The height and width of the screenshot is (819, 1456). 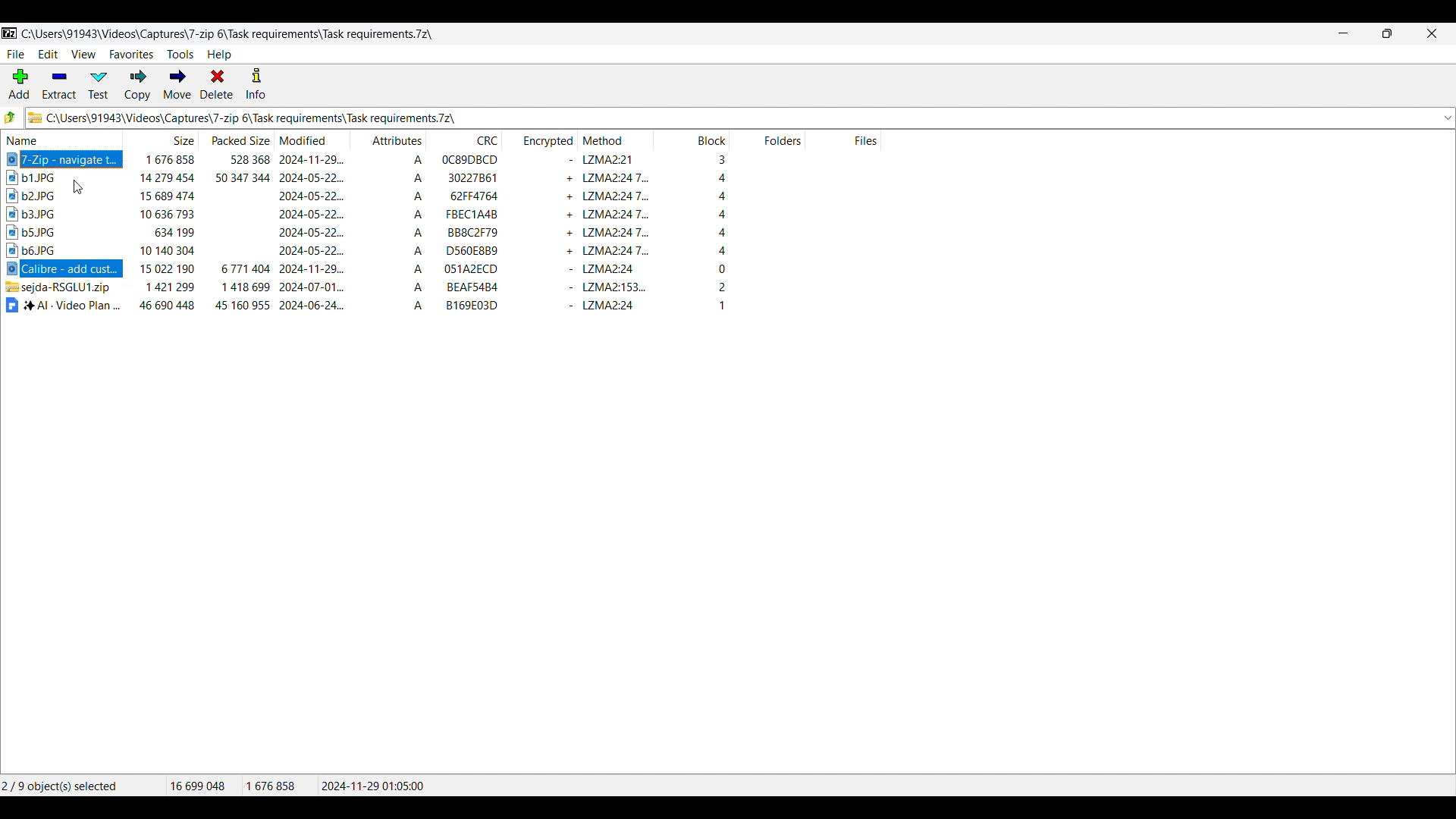 What do you see at coordinates (465, 139) in the screenshot?
I see `CRC column` at bounding box center [465, 139].